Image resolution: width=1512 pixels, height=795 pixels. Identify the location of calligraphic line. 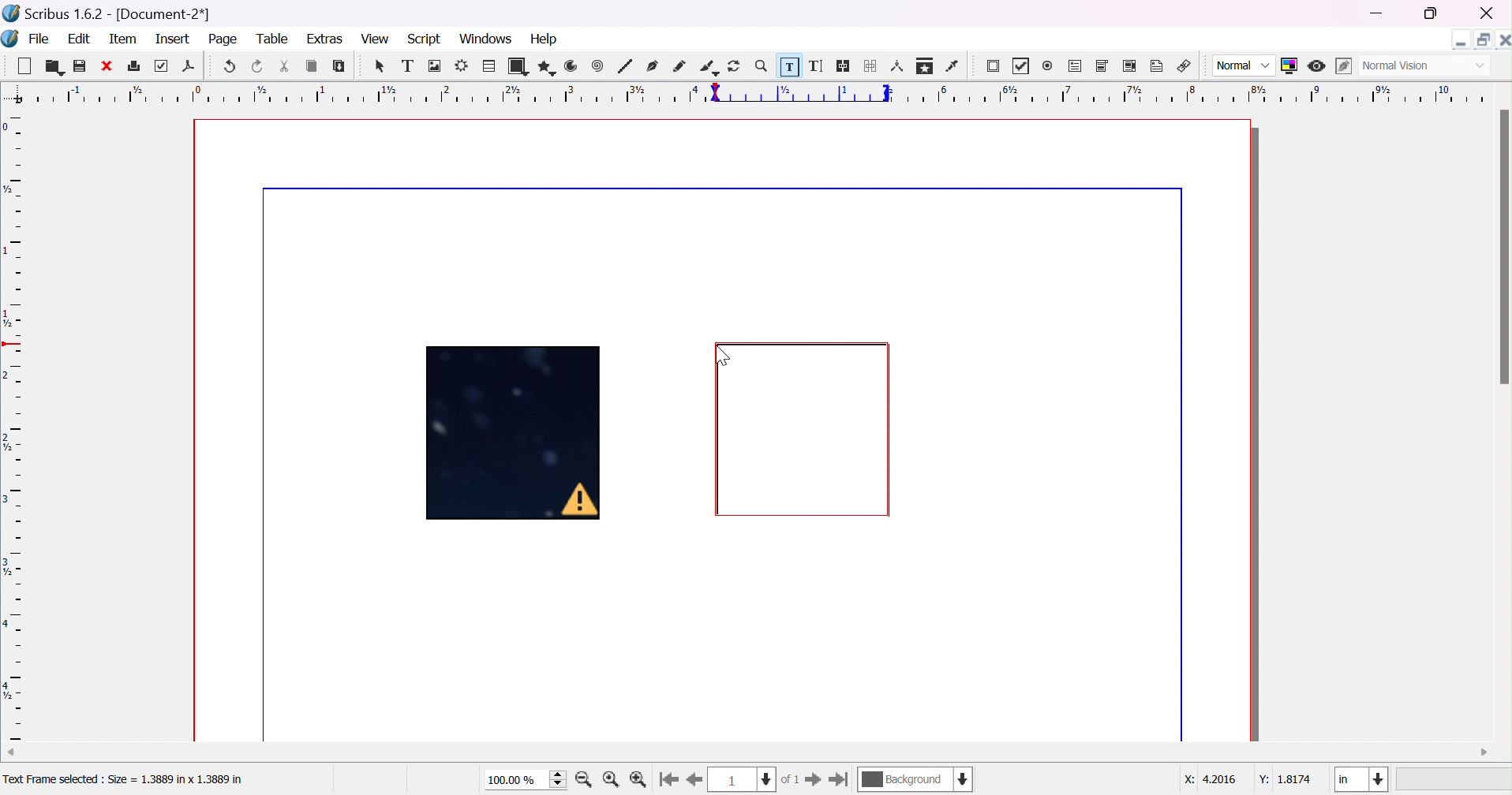
(708, 65).